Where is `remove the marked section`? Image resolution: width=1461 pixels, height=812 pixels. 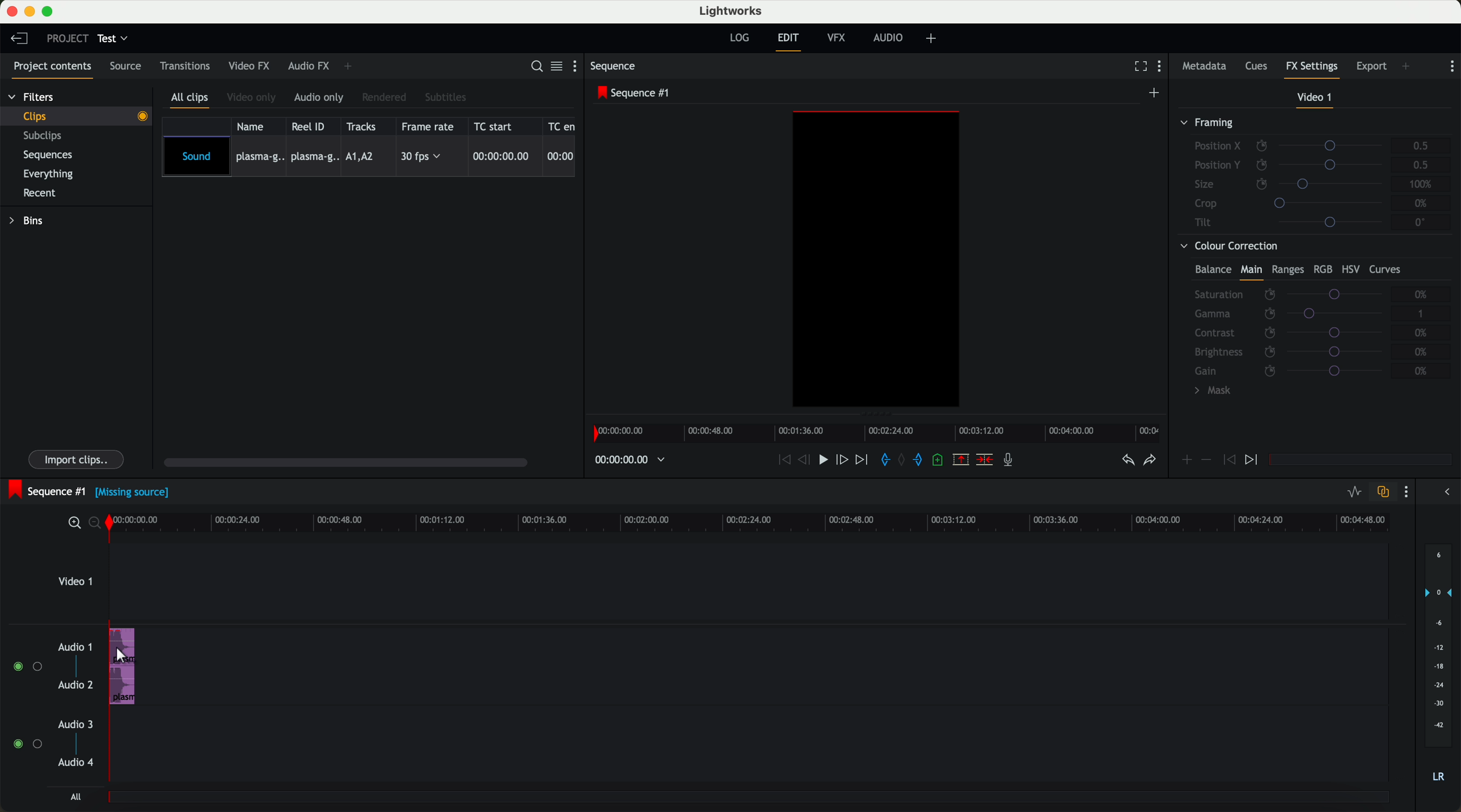 remove the marked section is located at coordinates (961, 460).